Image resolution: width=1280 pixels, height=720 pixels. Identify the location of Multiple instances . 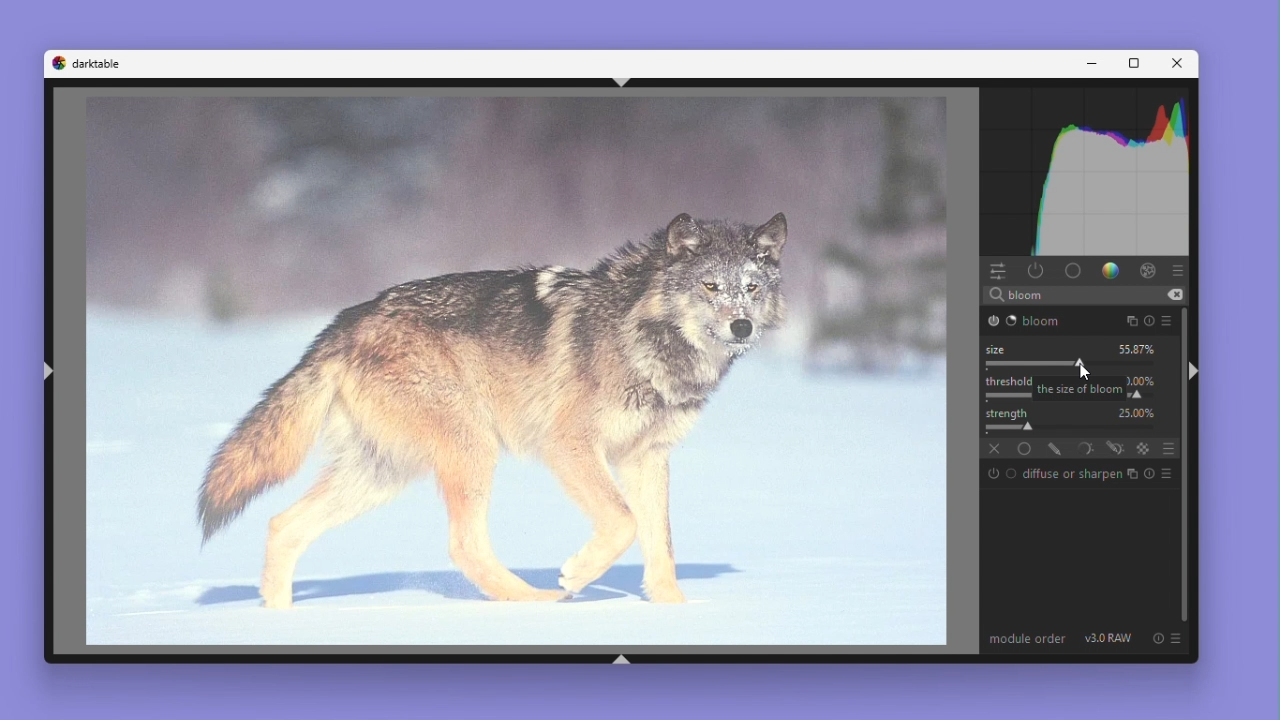
(1132, 320).